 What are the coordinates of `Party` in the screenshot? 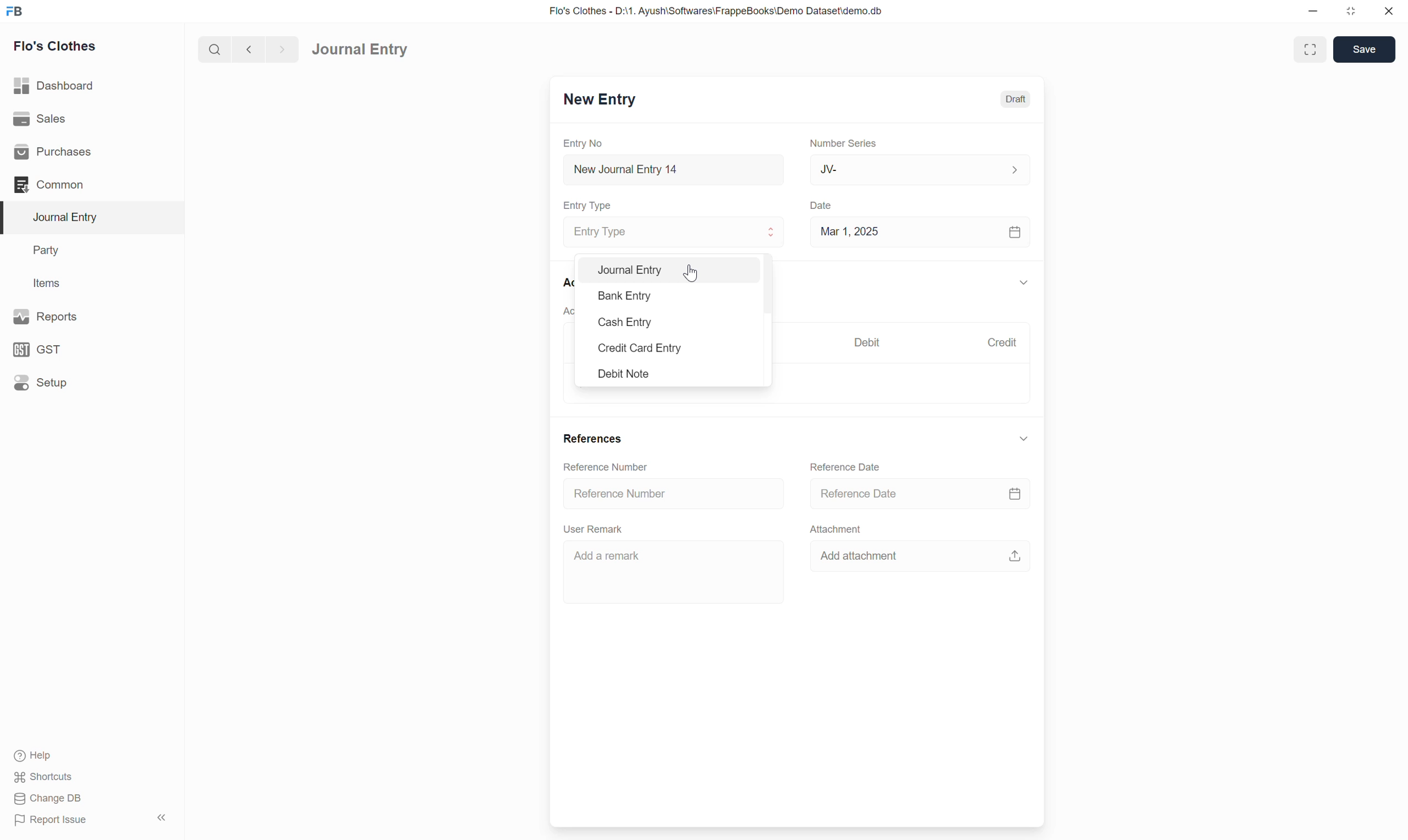 It's located at (49, 251).